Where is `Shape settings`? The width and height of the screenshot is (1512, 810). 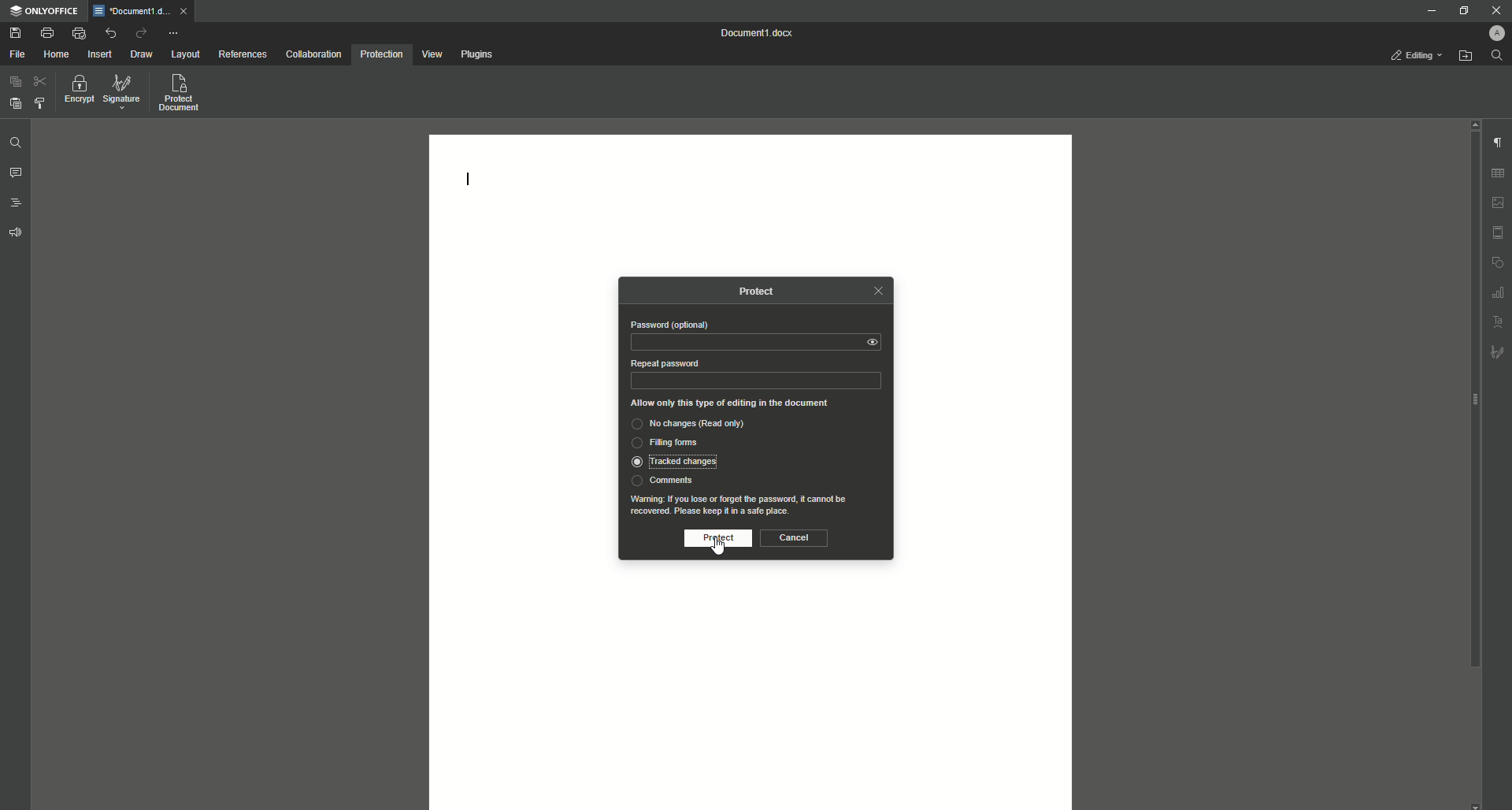
Shape settings is located at coordinates (1499, 263).